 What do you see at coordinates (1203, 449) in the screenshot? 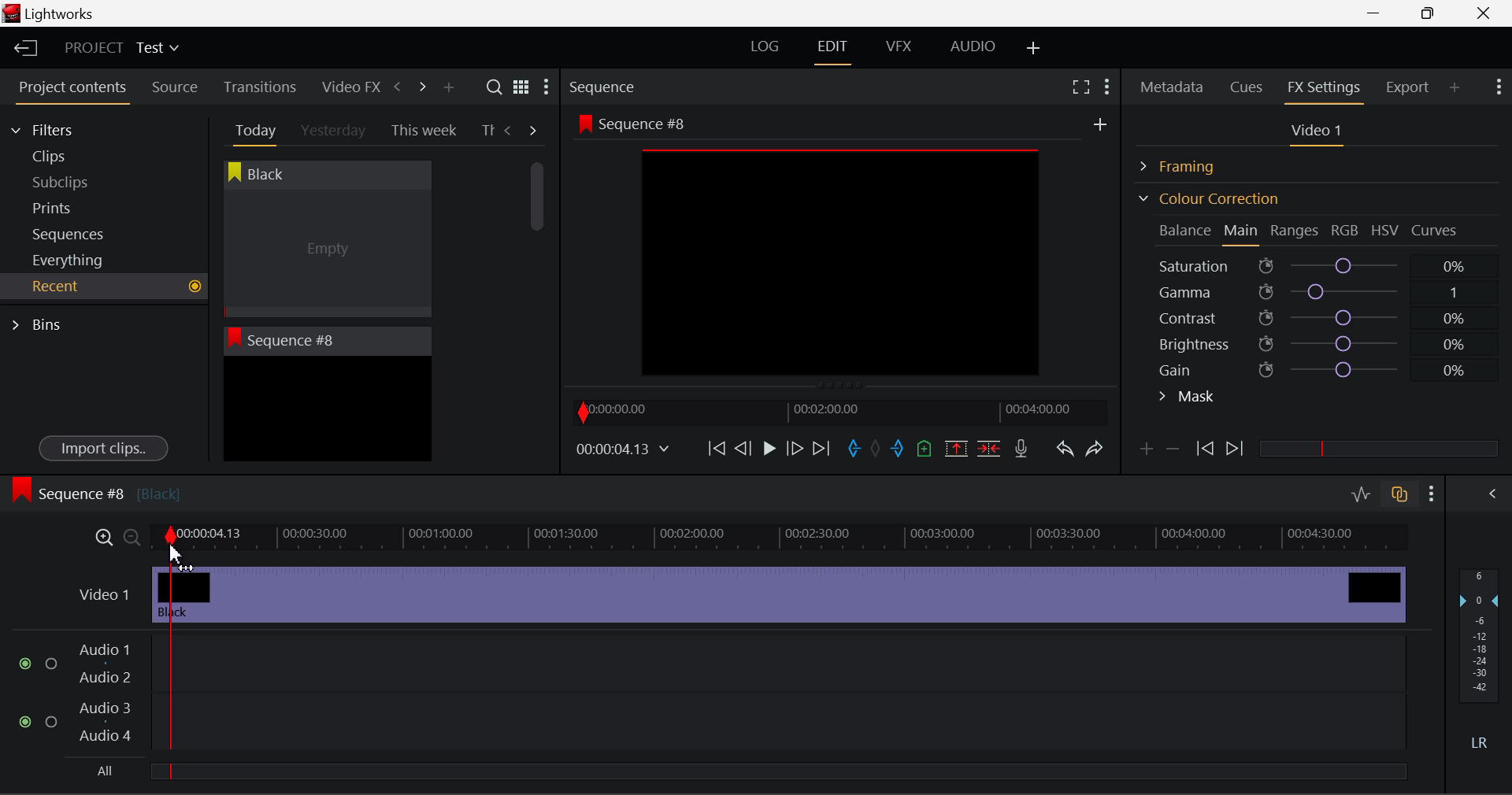
I see `Previous keyframe` at bounding box center [1203, 449].